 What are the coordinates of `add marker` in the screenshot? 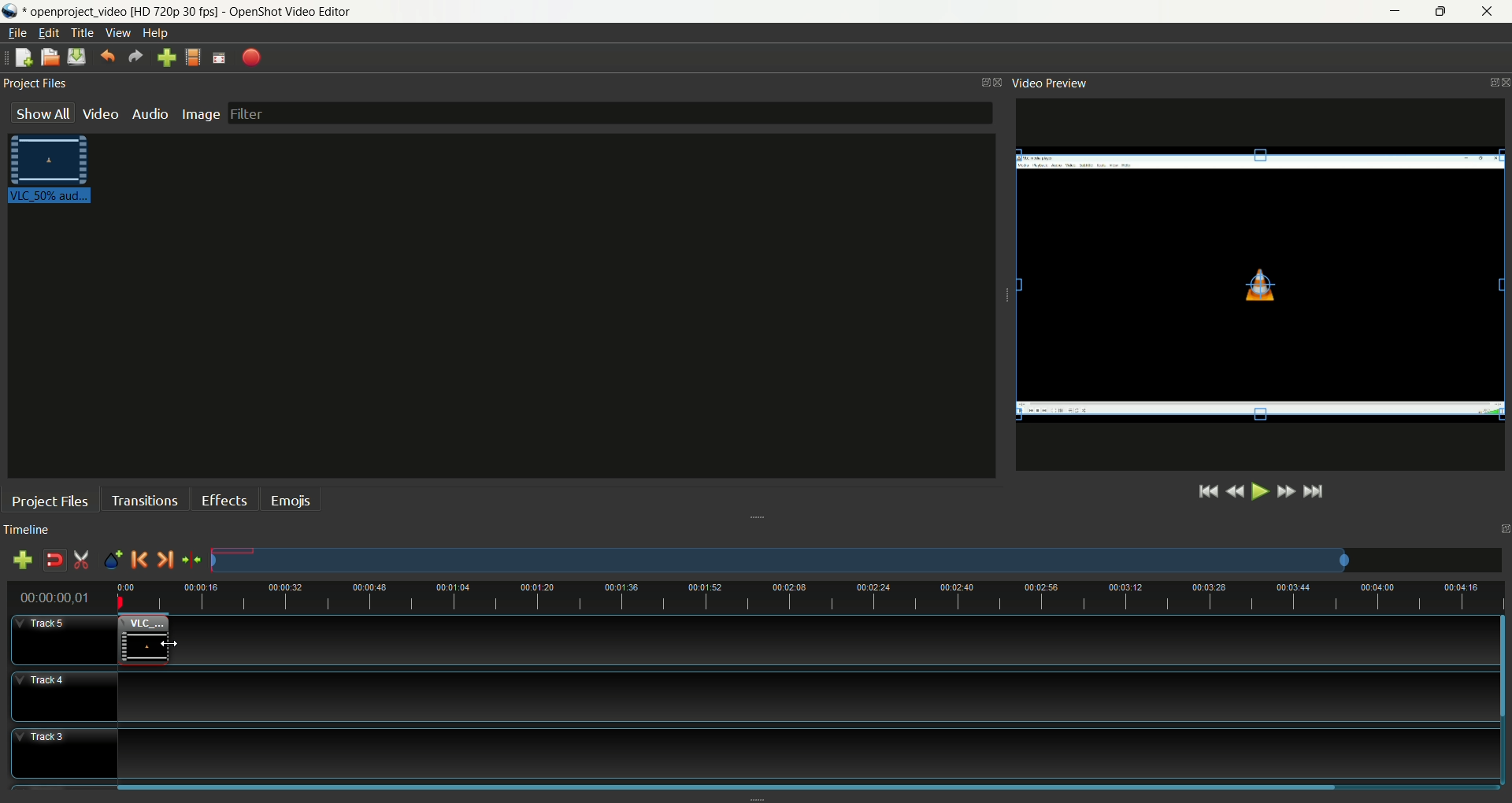 It's located at (113, 559).